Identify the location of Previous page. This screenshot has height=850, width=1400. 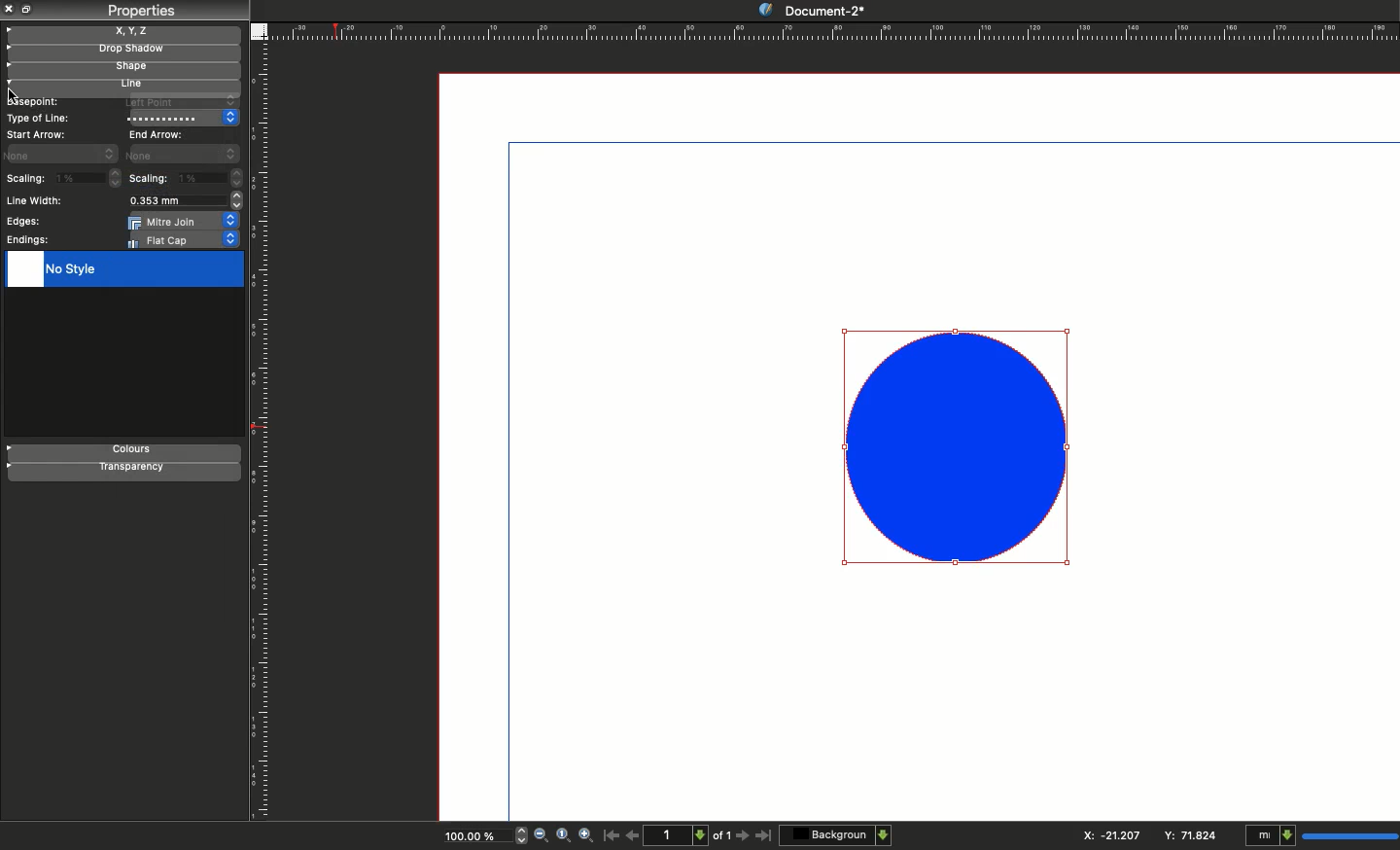
(633, 834).